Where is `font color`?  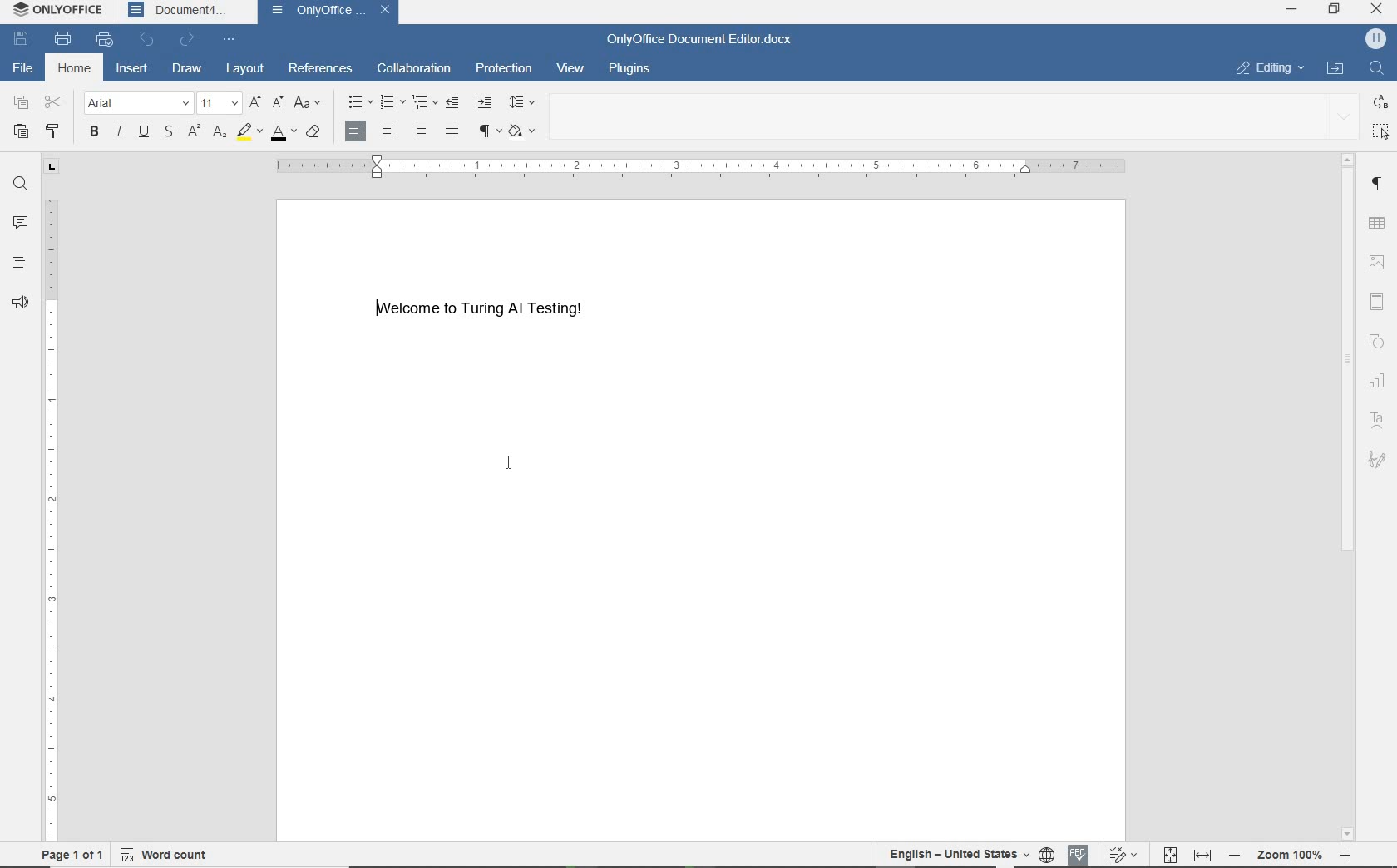
font color is located at coordinates (285, 133).